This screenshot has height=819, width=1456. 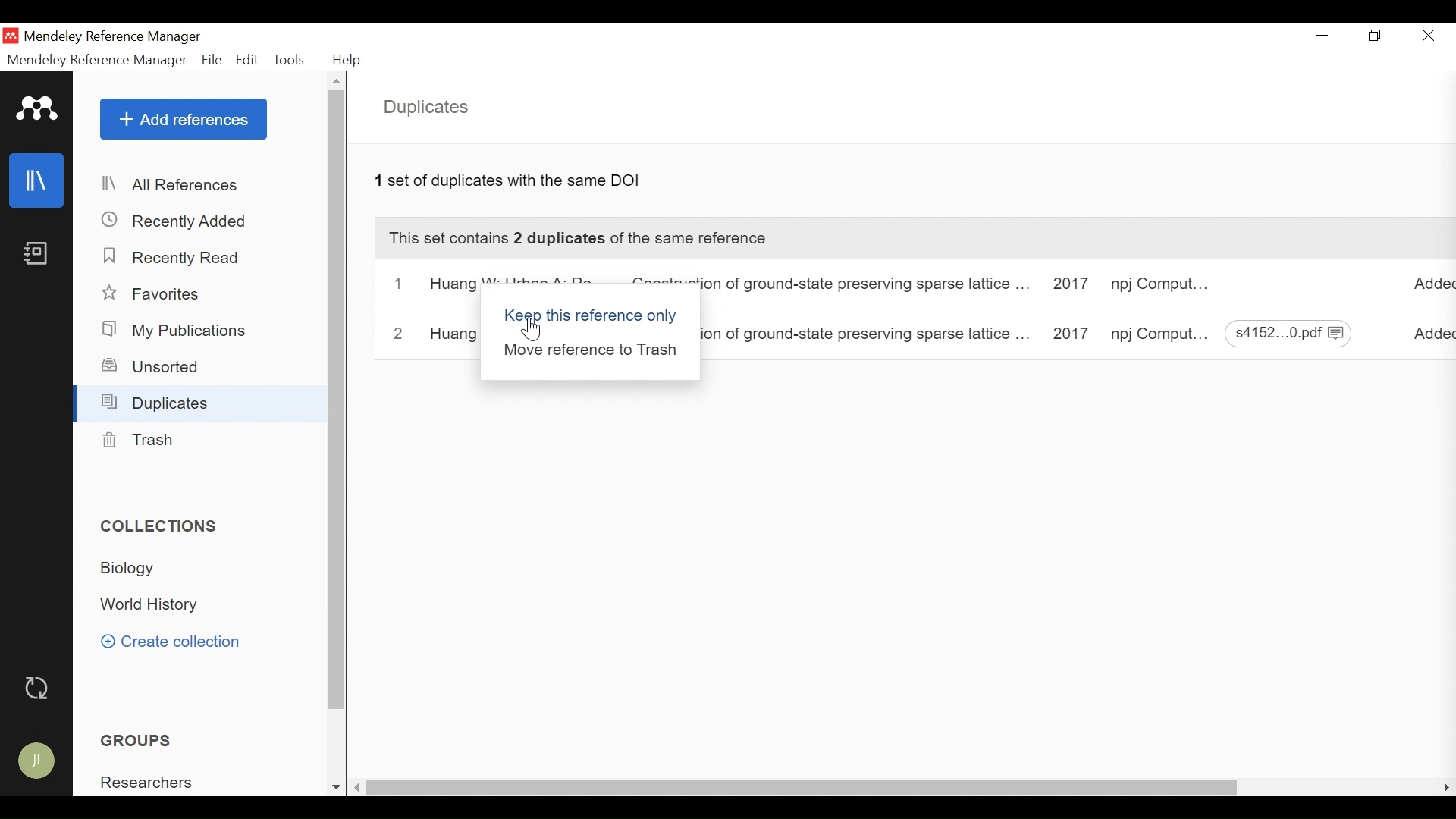 What do you see at coordinates (98, 61) in the screenshot?
I see `Mendeley Reference Manager` at bounding box center [98, 61].